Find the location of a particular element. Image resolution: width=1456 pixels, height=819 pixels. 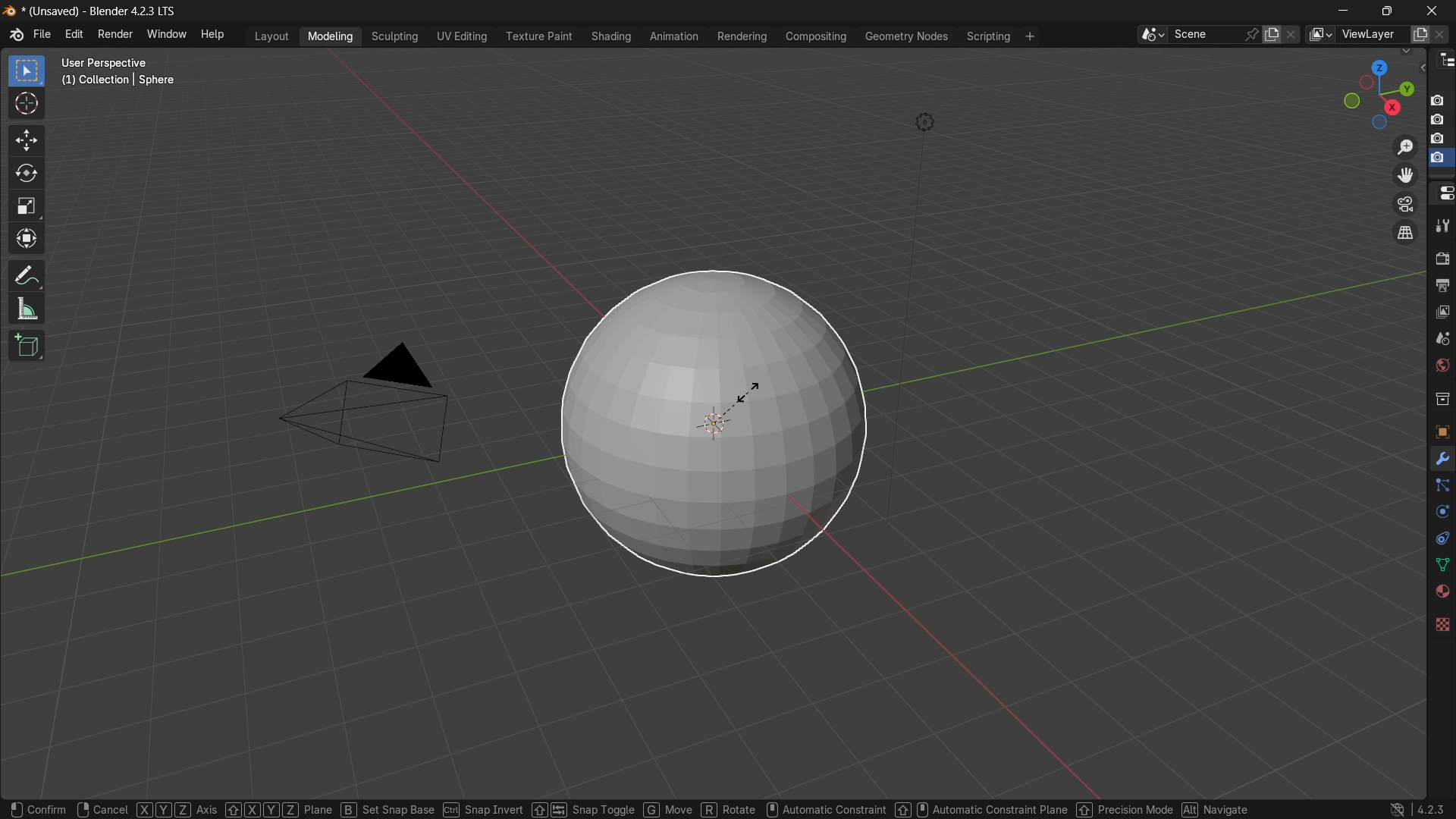

Move is located at coordinates (677, 806).